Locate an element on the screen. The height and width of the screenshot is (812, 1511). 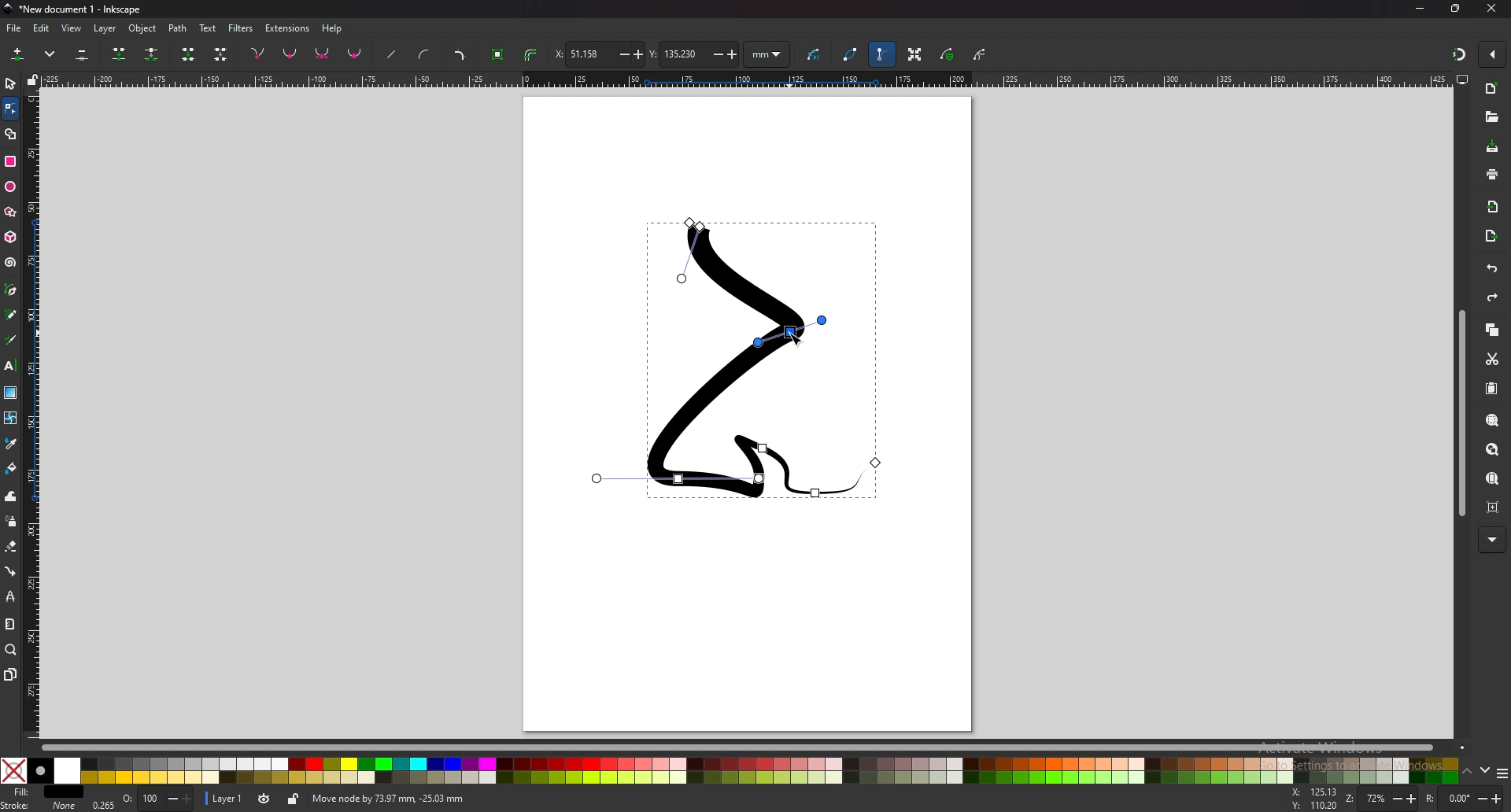
connector is located at coordinates (11, 571).